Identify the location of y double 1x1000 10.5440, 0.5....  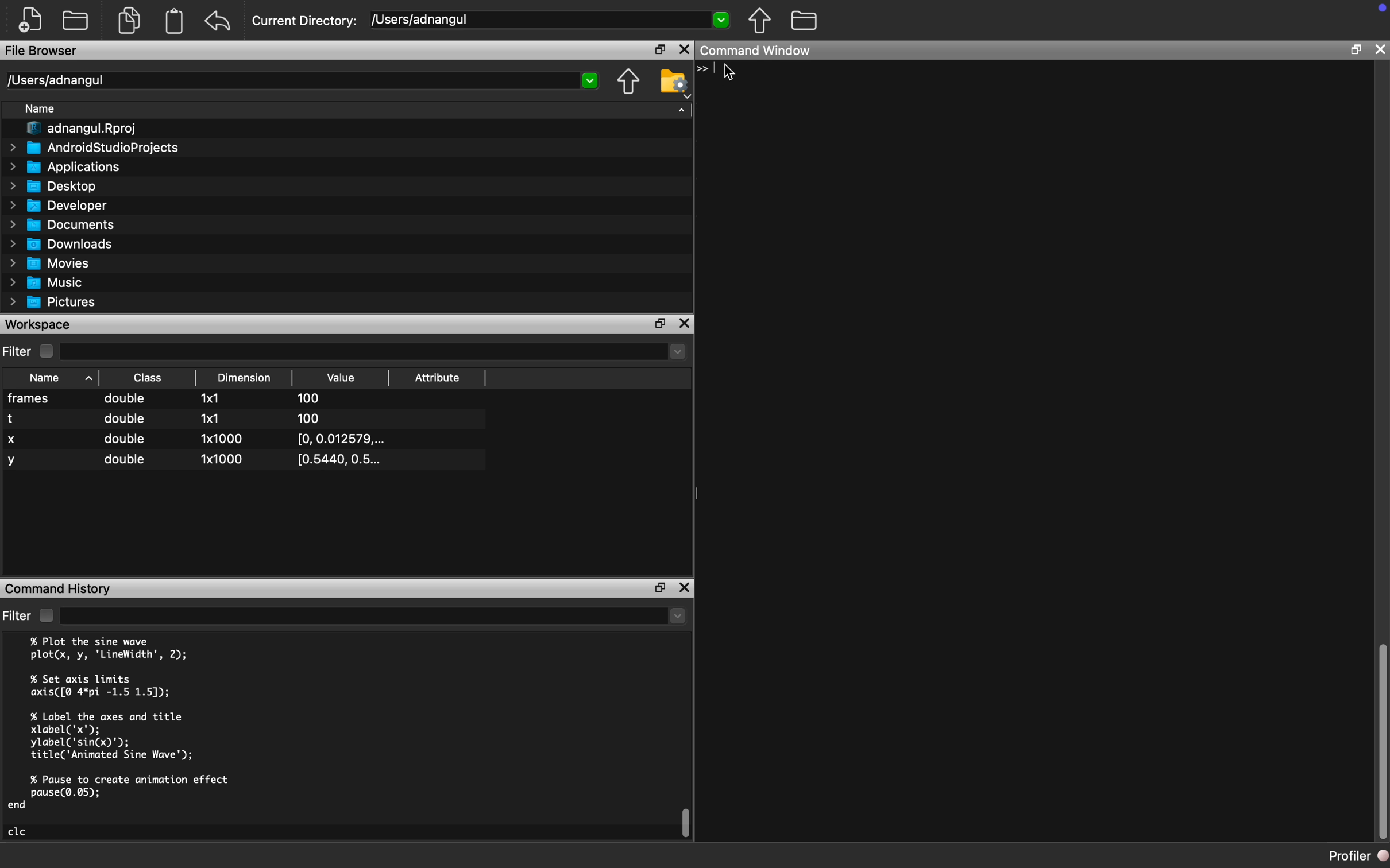
(196, 462).